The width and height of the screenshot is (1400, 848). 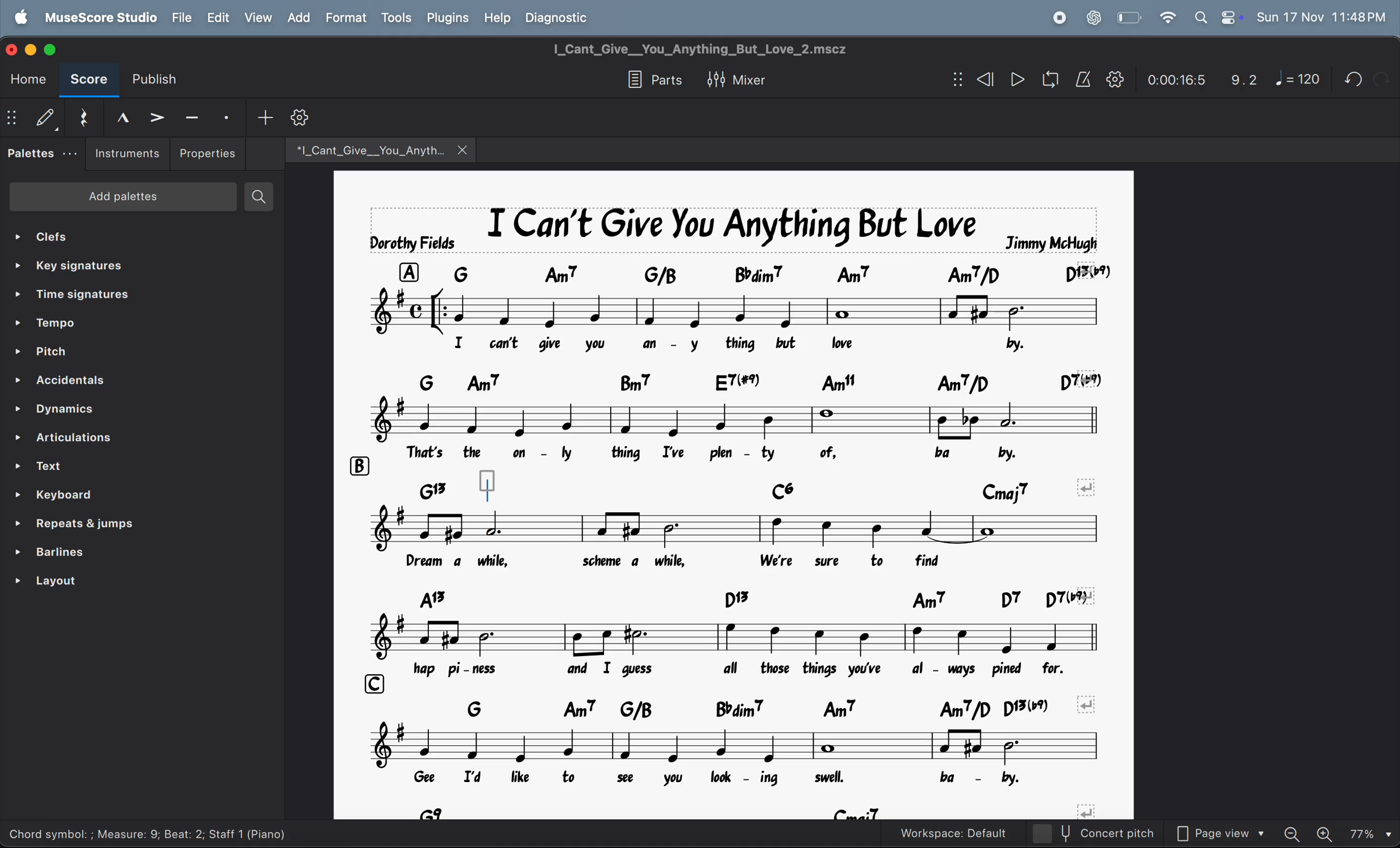 What do you see at coordinates (161, 76) in the screenshot?
I see `publish` at bounding box center [161, 76].